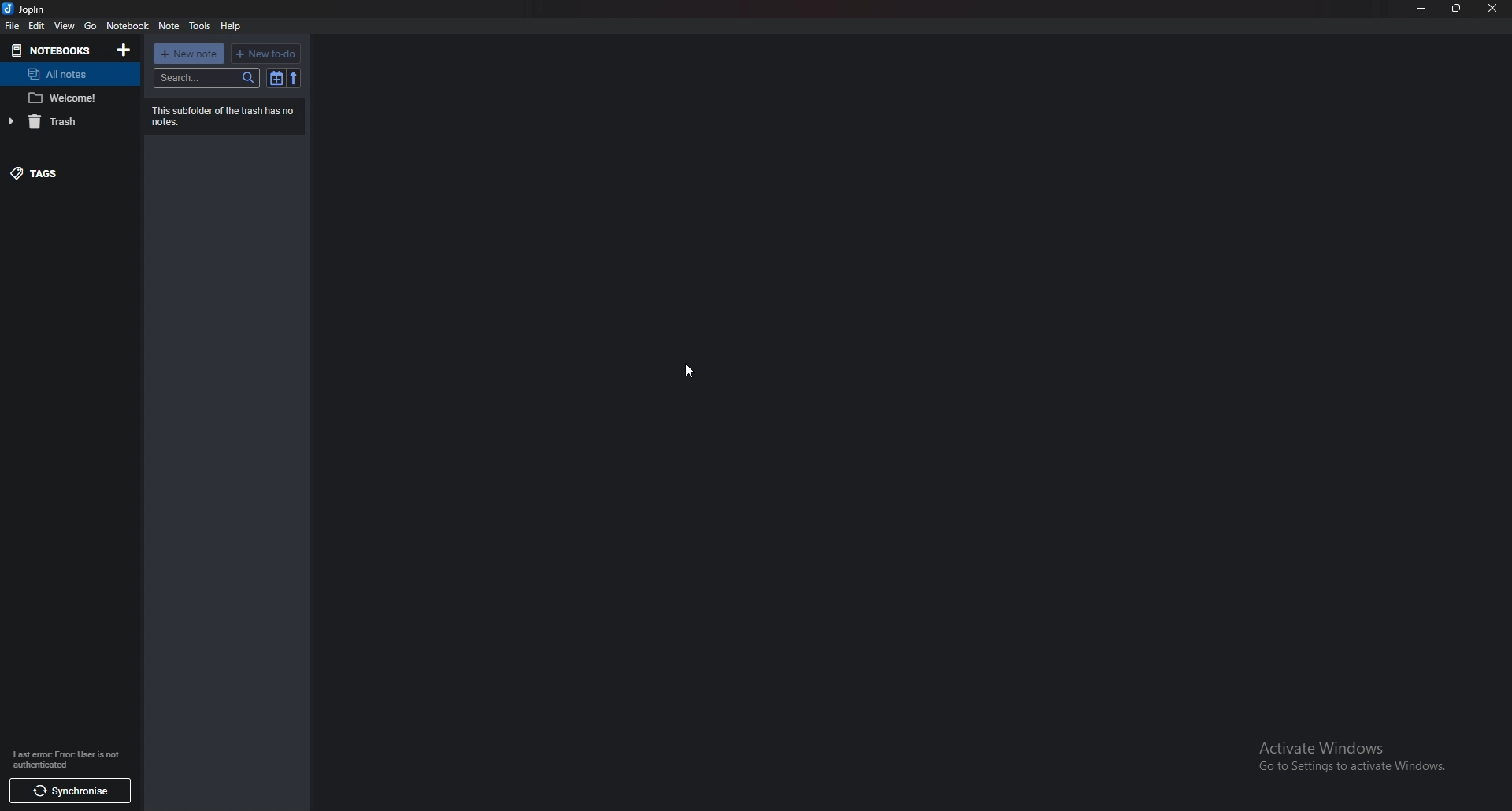 The width and height of the screenshot is (1512, 811). I want to click on Notebook, so click(57, 49).